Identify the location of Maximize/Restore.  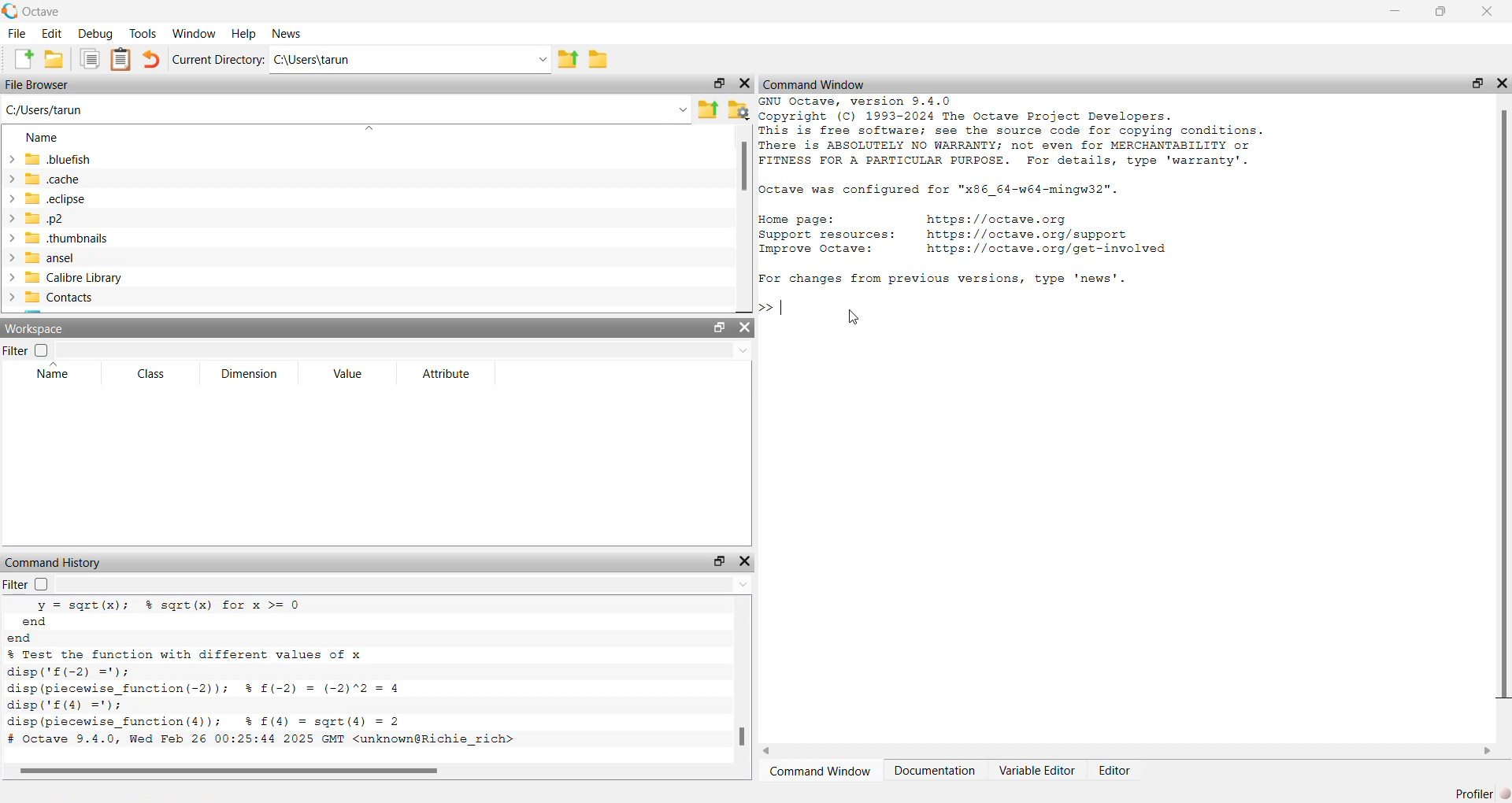
(1471, 83).